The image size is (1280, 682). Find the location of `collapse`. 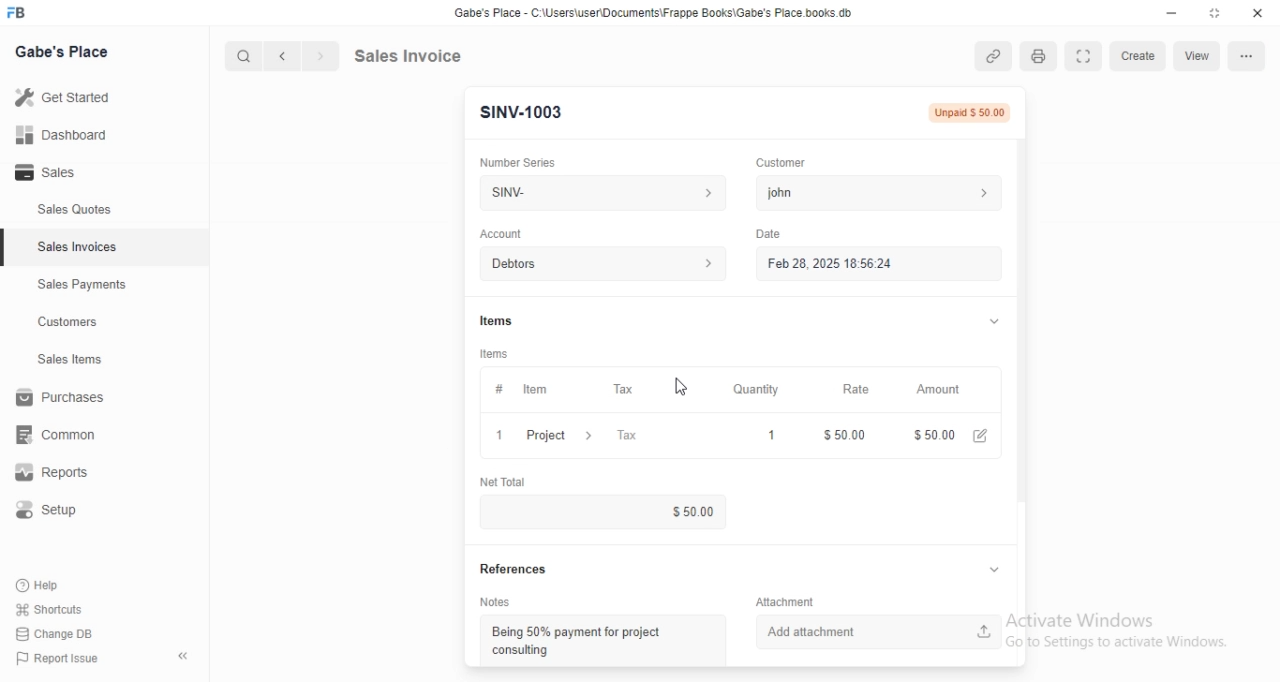

collapse is located at coordinates (185, 656).